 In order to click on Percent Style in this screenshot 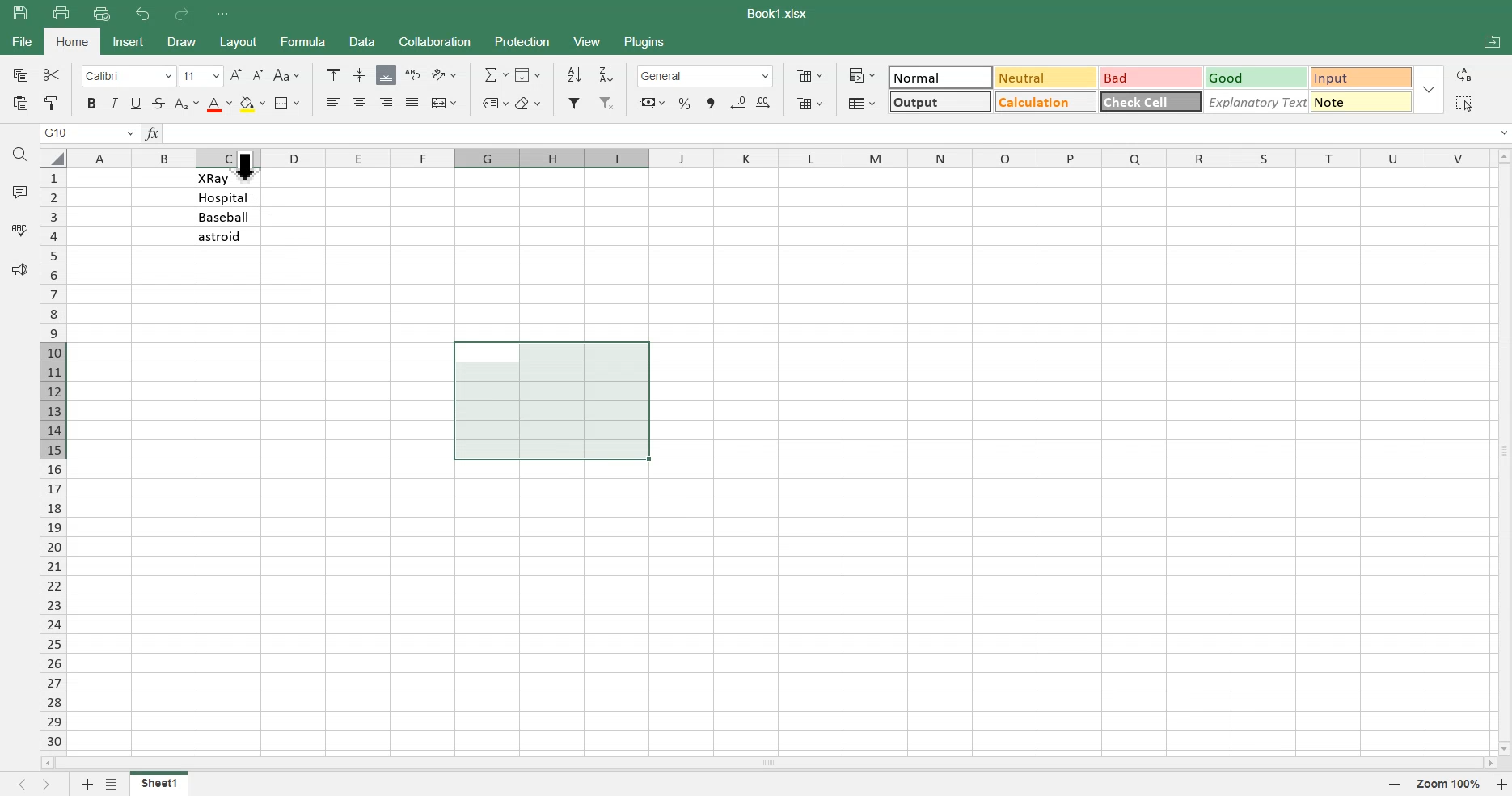, I will do `click(684, 103)`.